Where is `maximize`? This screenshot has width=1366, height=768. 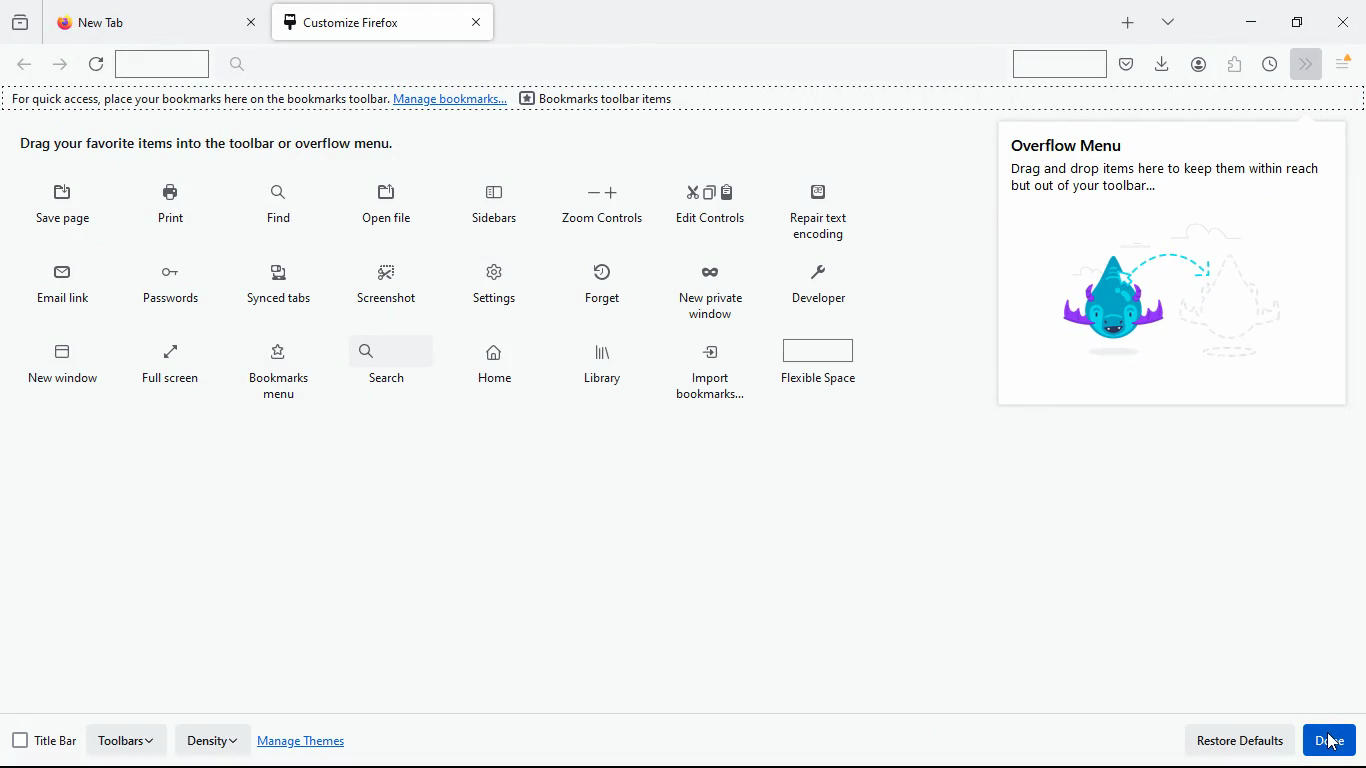
maximize is located at coordinates (1294, 21).